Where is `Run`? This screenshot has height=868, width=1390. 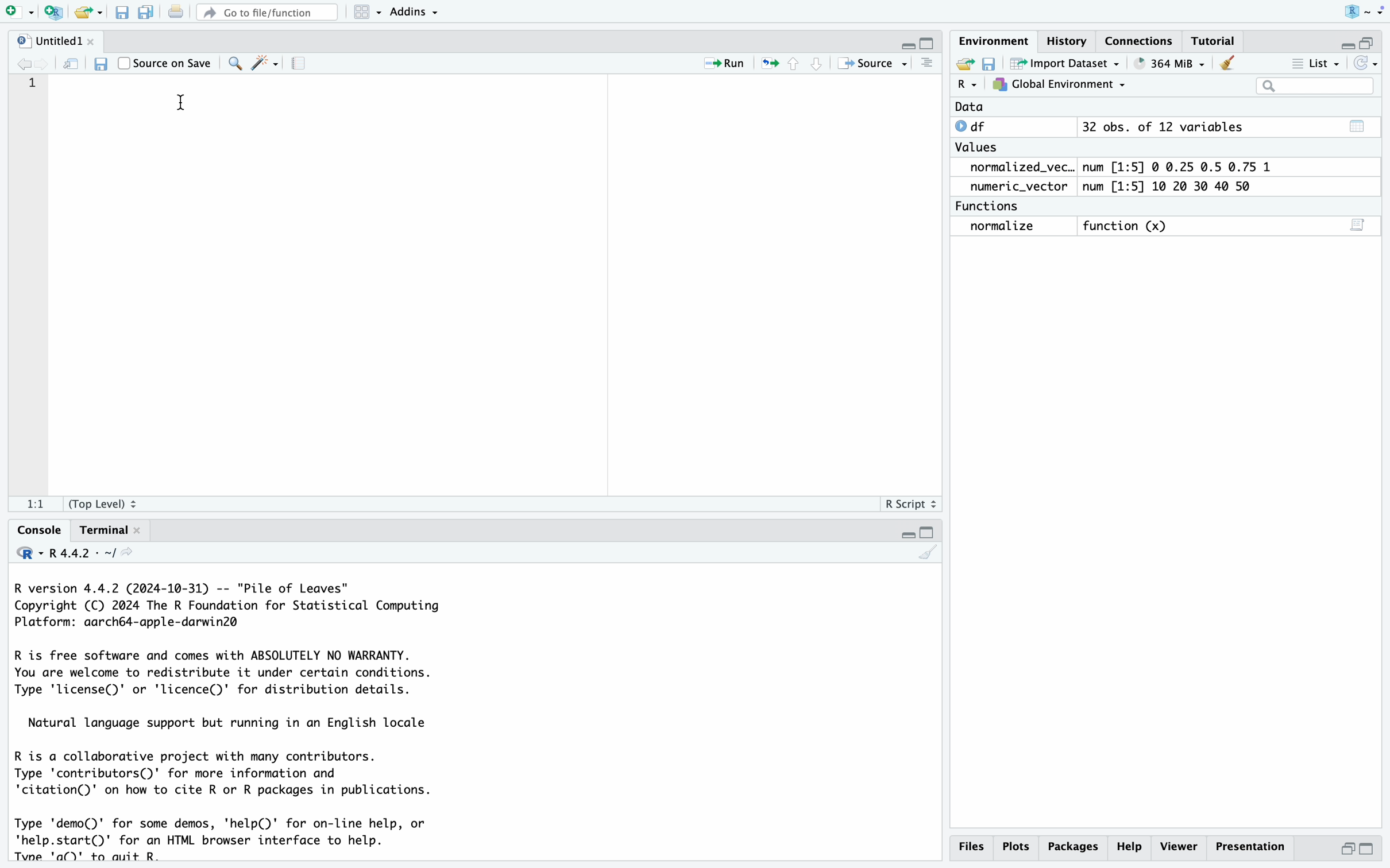
Run is located at coordinates (717, 64).